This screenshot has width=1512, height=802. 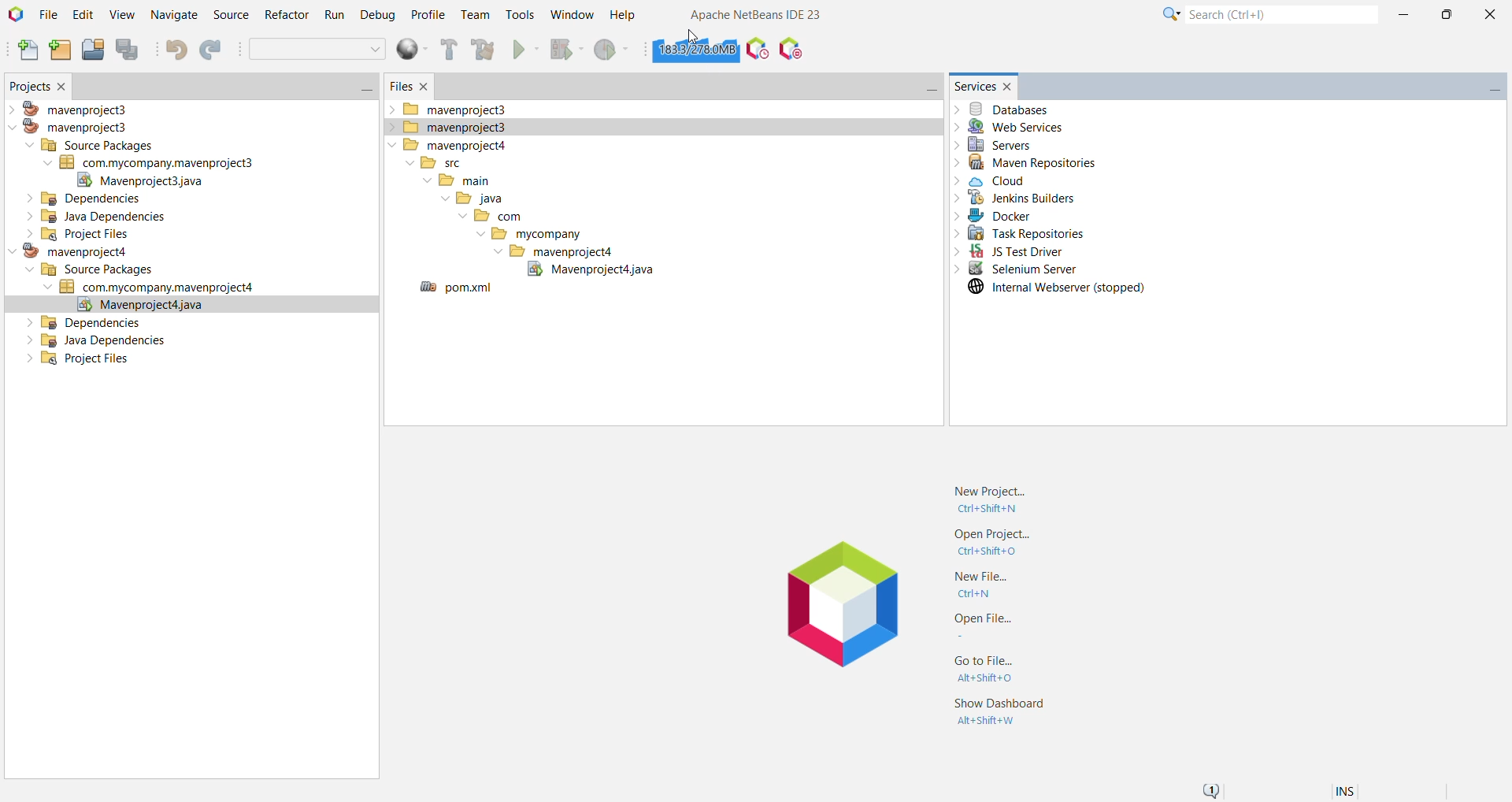 I want to click on mavenproject4, so click(x=66, y=253).